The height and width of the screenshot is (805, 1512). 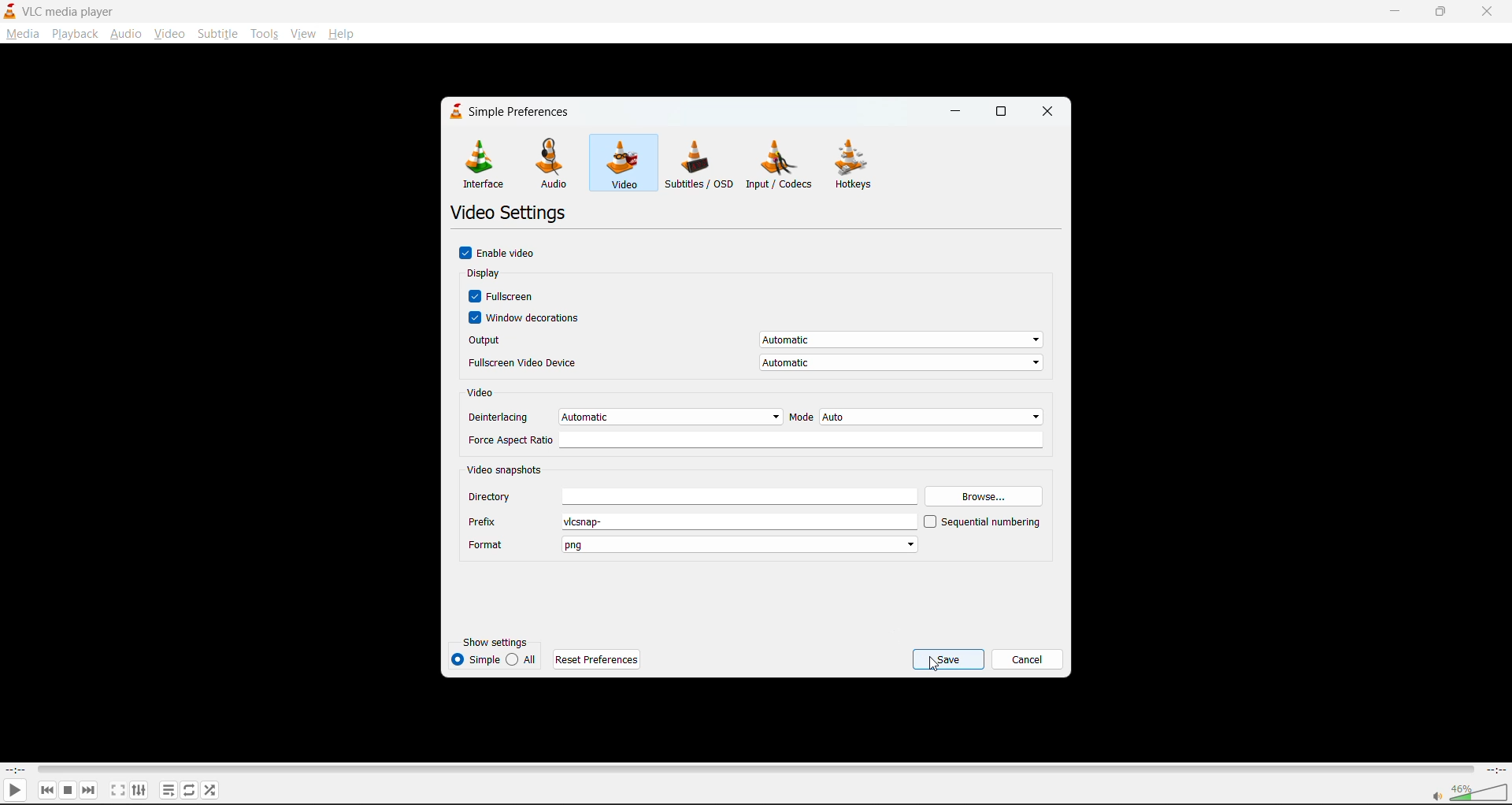 I want to click on minimize, so click(x=1393, y=12).